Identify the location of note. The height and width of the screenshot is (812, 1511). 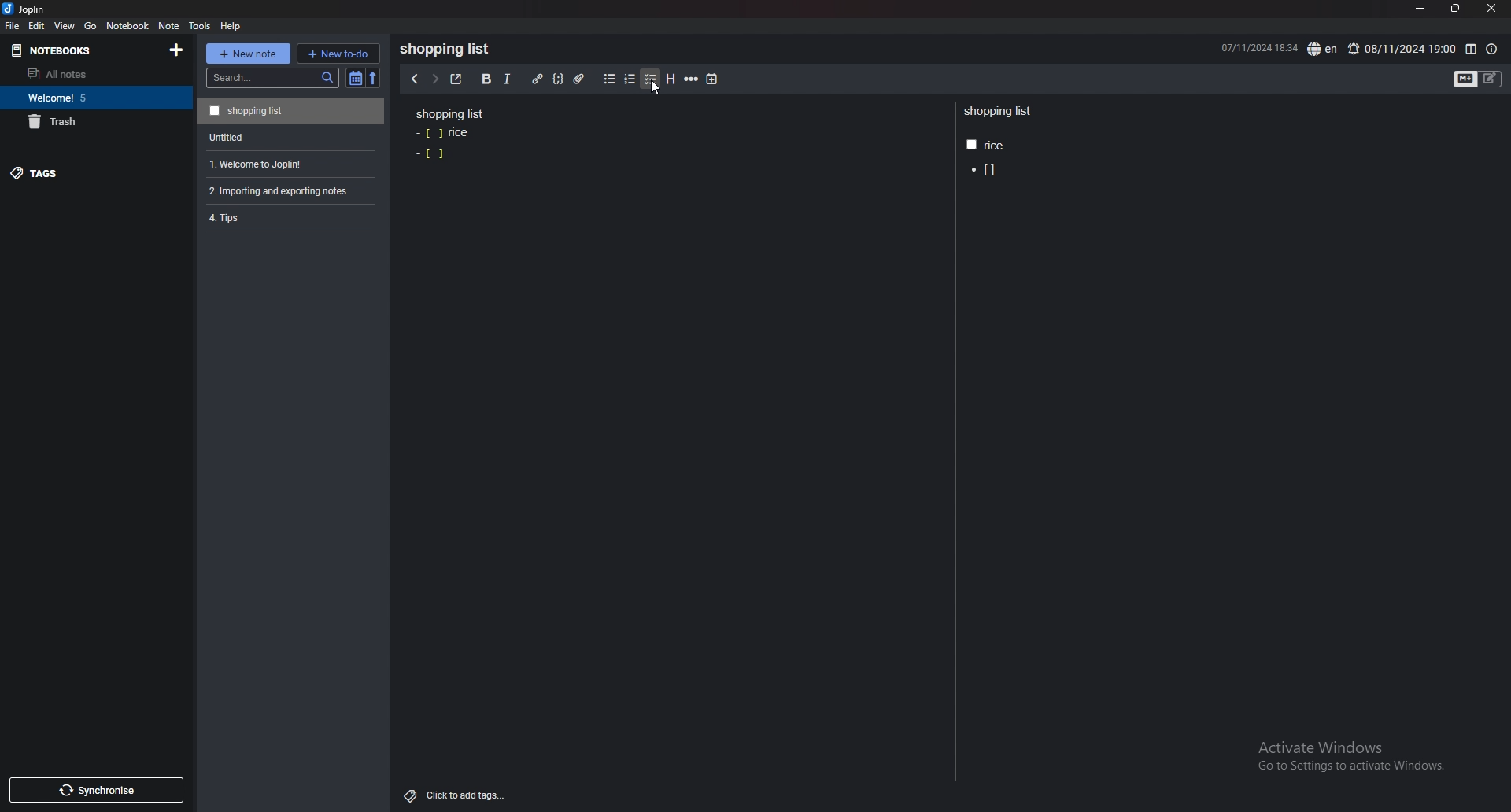
(170, 26).